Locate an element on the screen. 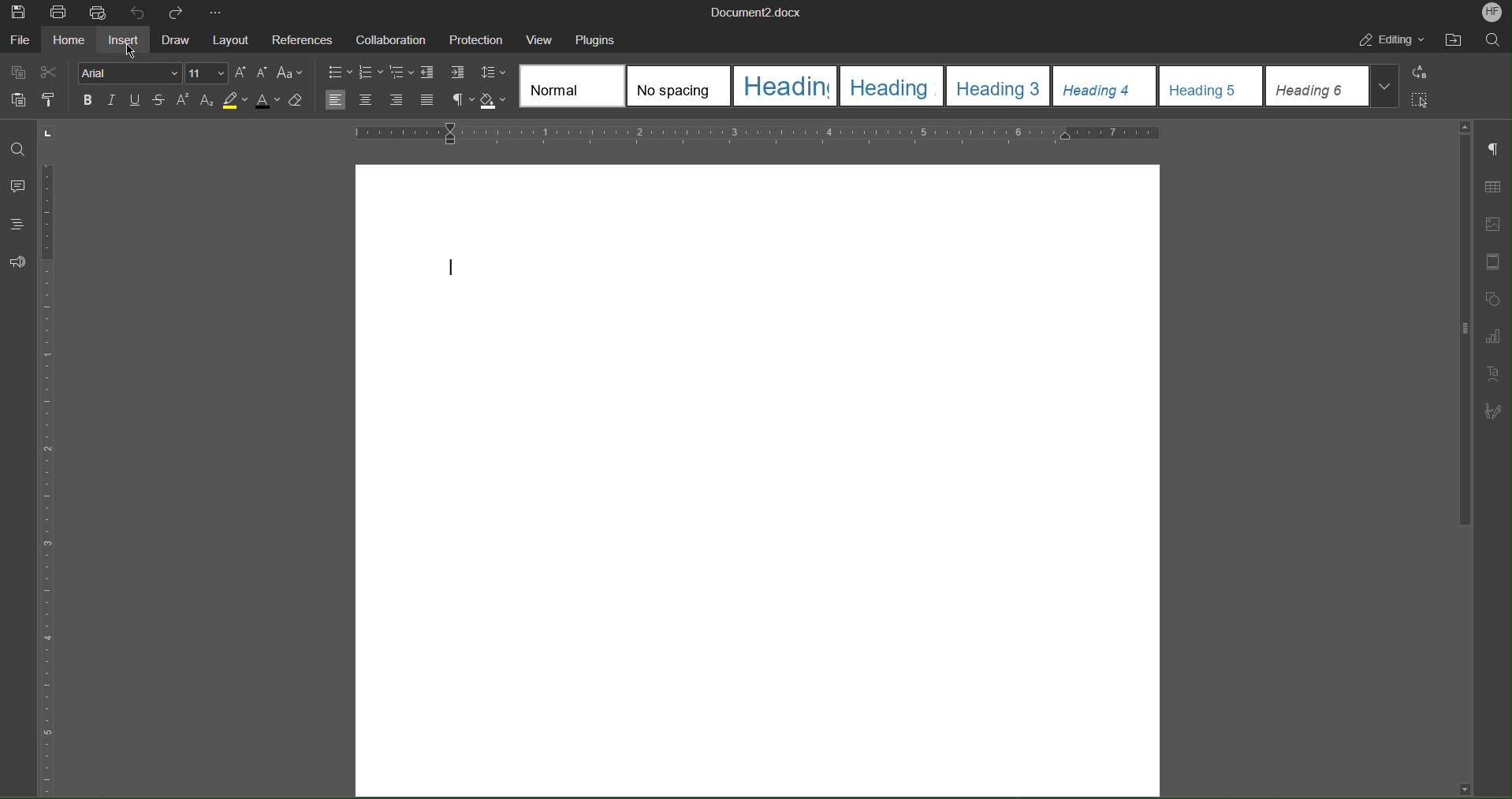  Signature is located at coordinates (1492, 412).